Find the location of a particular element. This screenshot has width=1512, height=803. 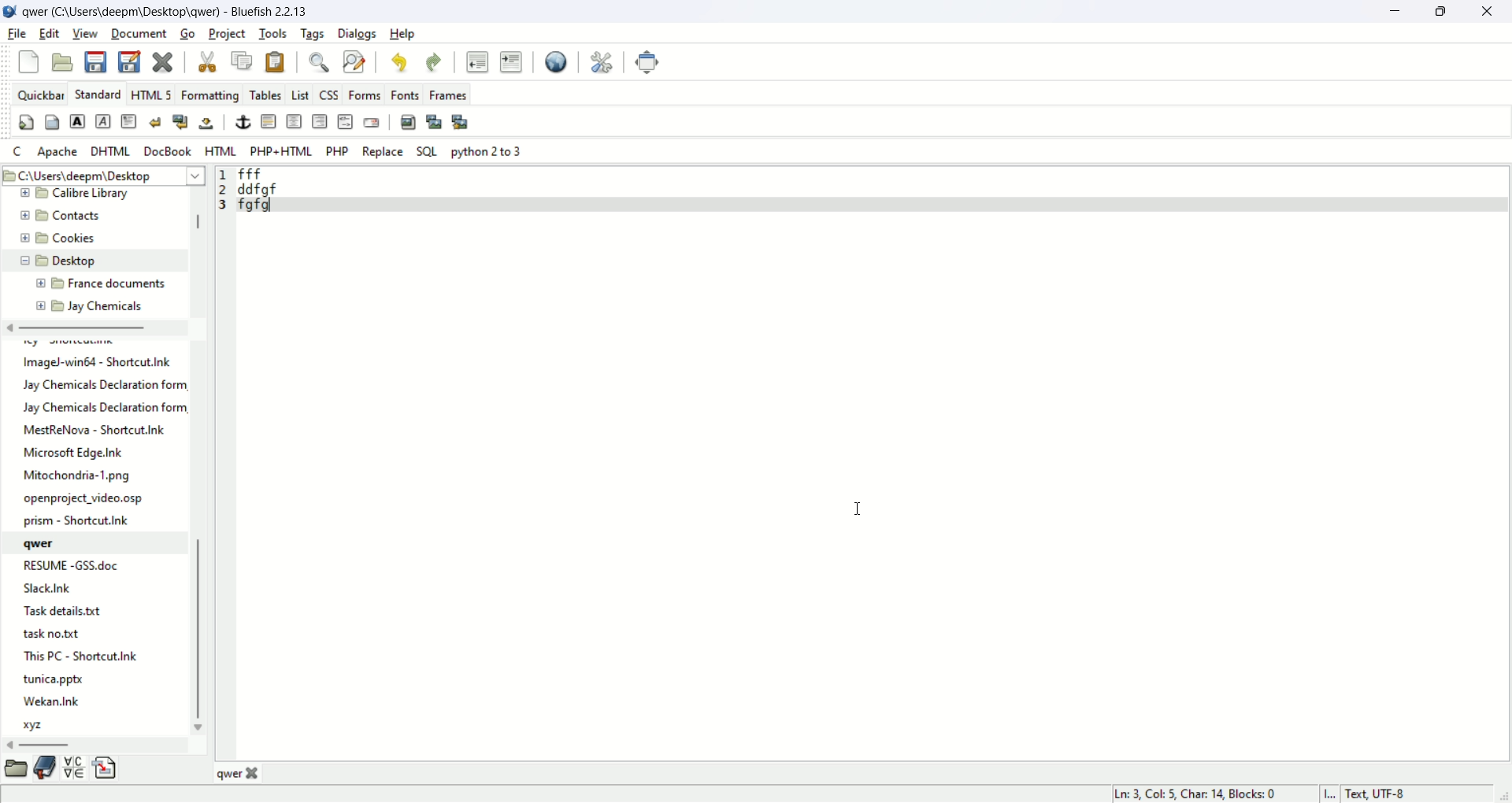

project is located at coordinates (225, 32).